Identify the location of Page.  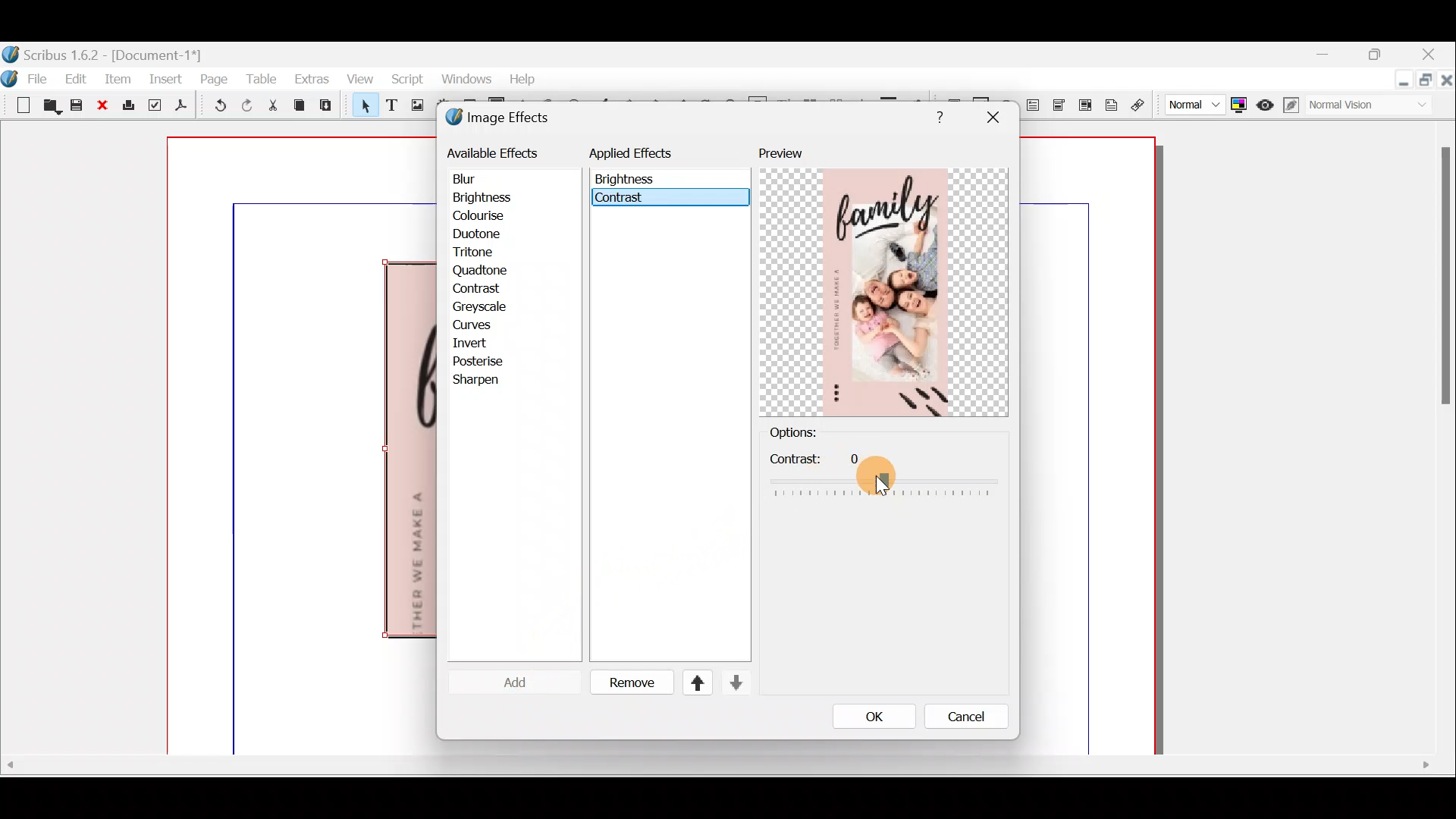
(215, 78).